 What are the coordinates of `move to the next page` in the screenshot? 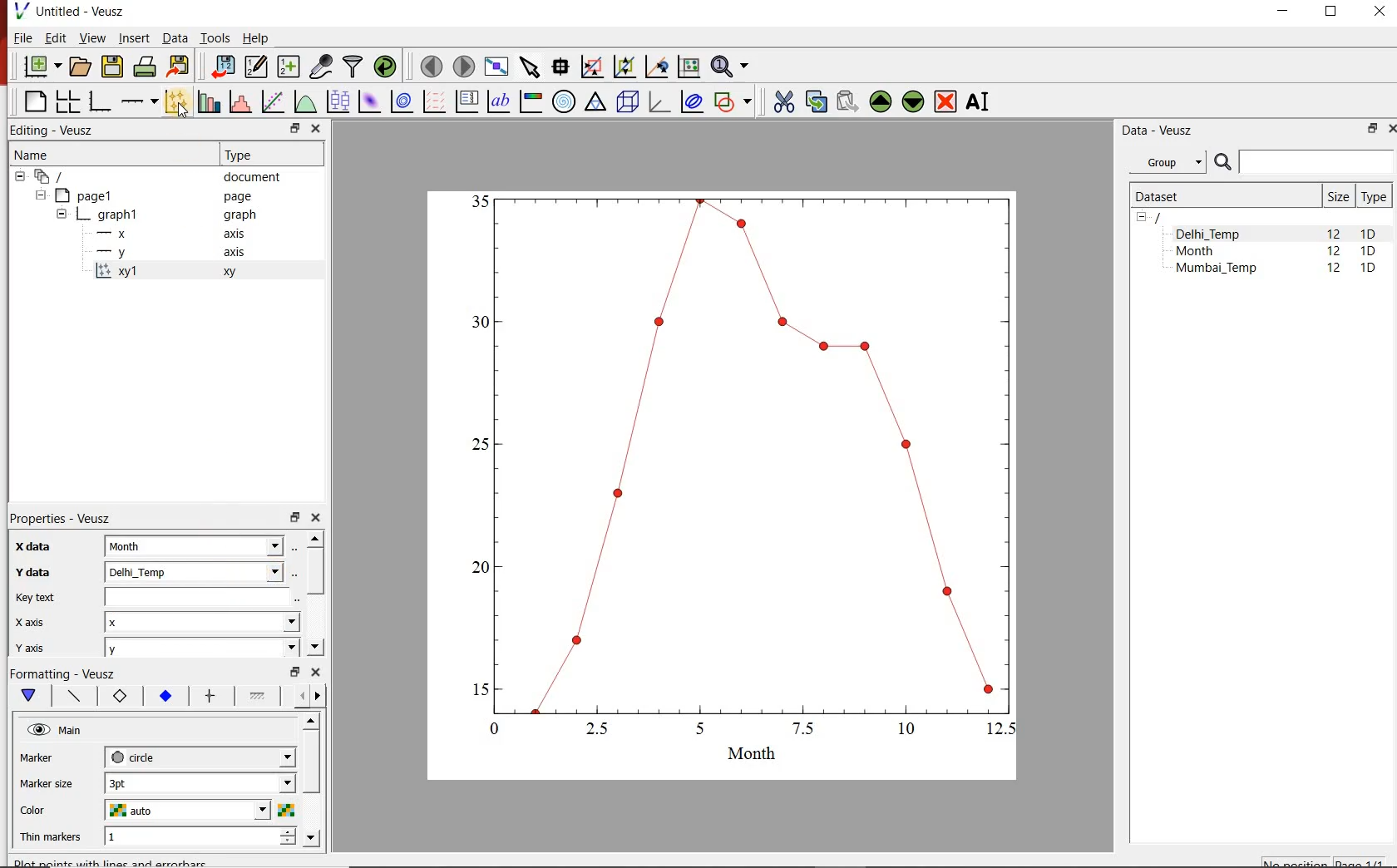 It's located at (464, 67).